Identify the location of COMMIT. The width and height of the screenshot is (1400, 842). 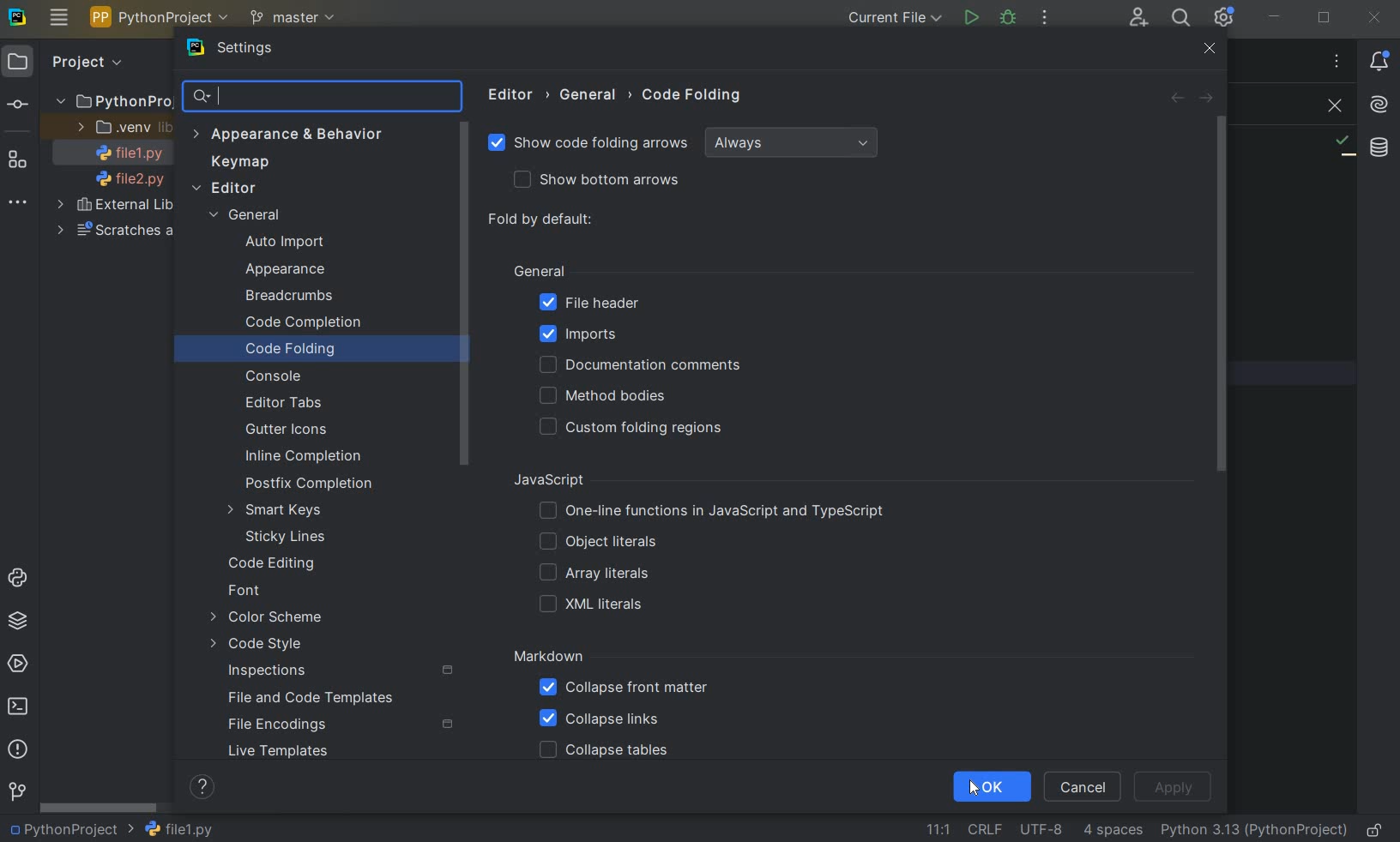
(17, 105).